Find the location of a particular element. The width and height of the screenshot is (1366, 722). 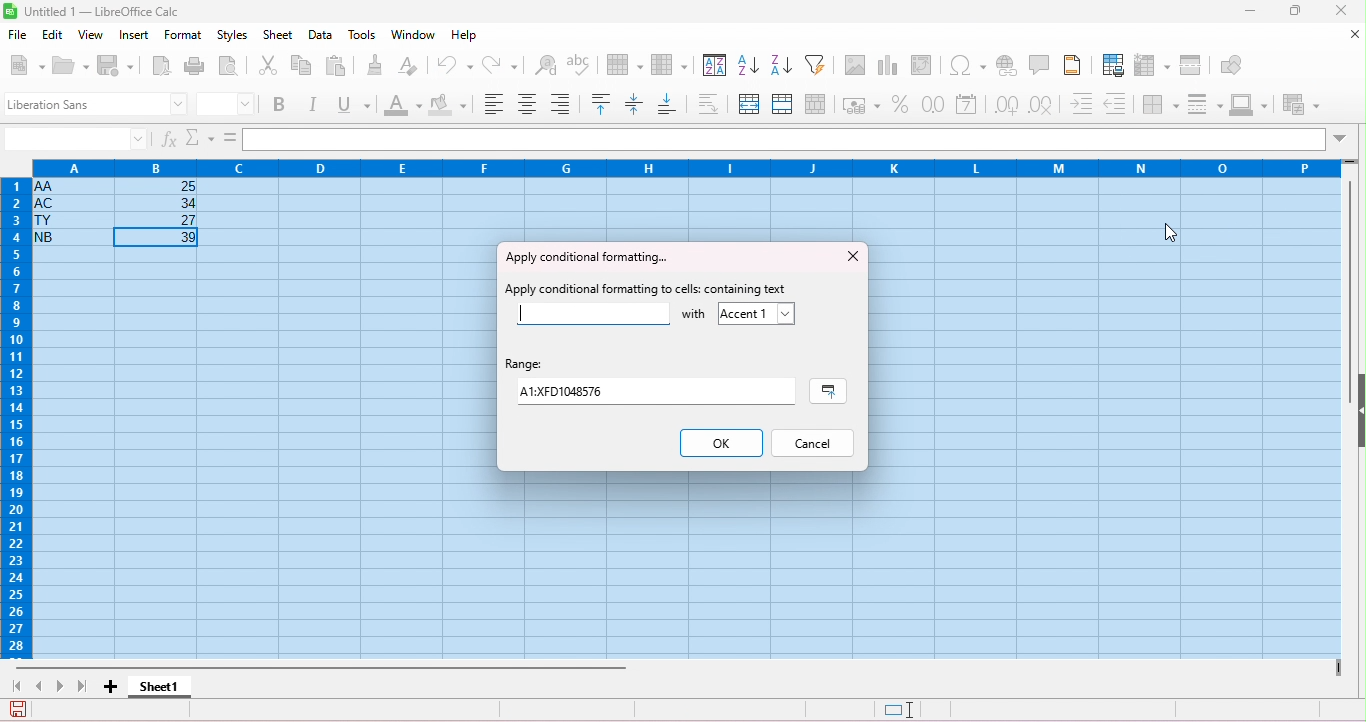

clear direct formatting is located at coordinates (408, 64).